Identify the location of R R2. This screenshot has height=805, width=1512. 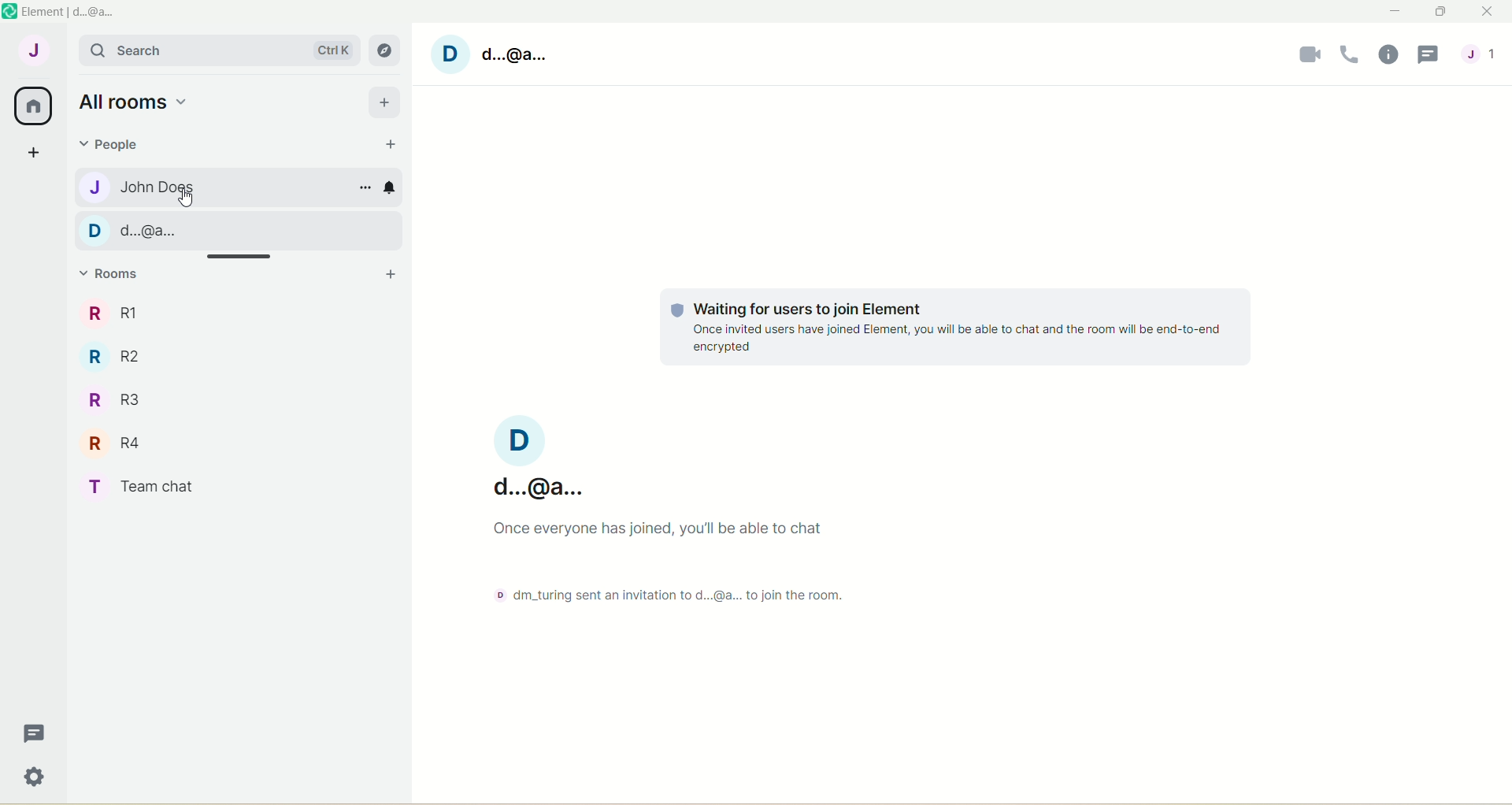
(132, 358).